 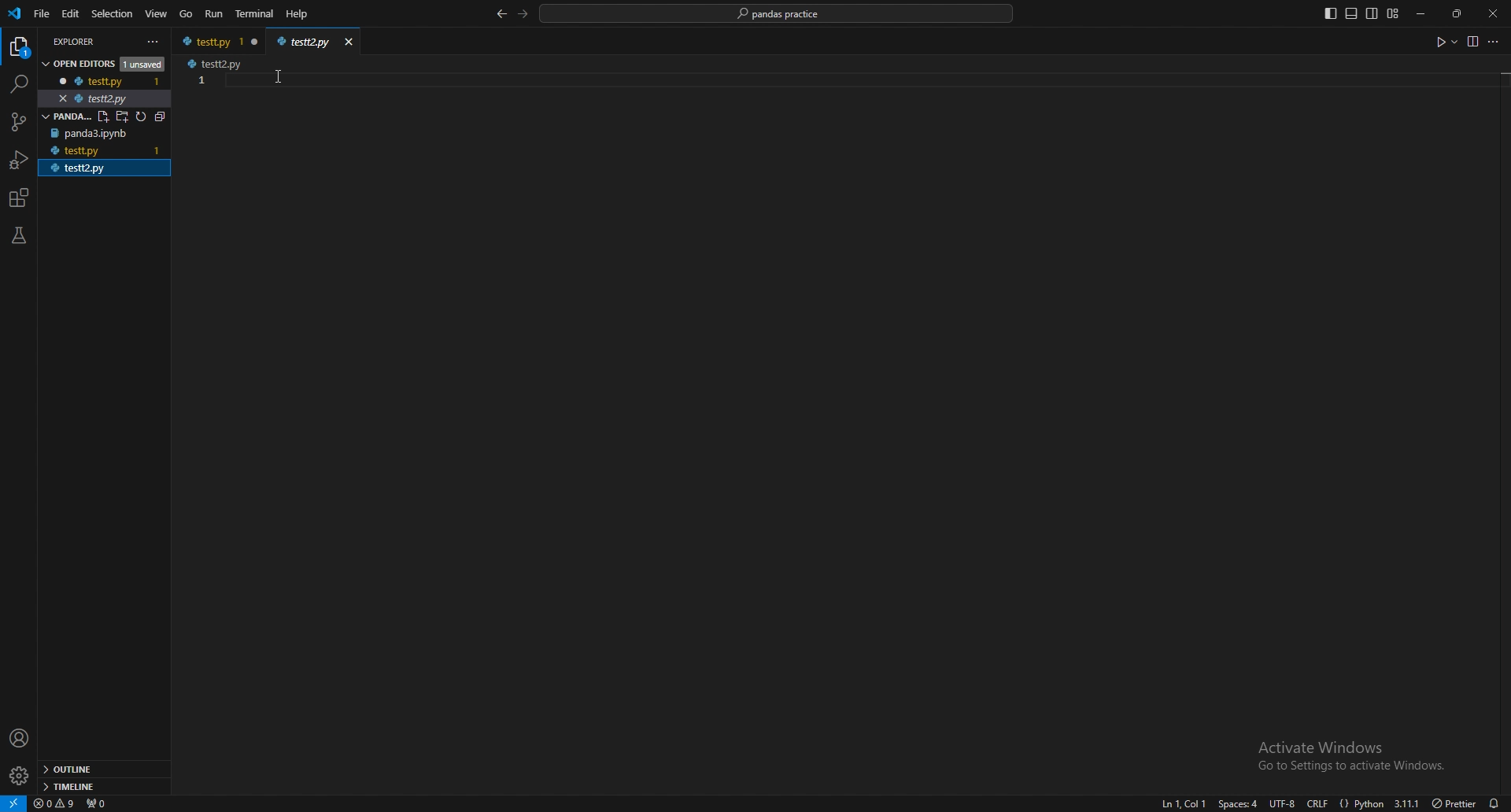 I want to click on Help, so click(x=296, y=14).